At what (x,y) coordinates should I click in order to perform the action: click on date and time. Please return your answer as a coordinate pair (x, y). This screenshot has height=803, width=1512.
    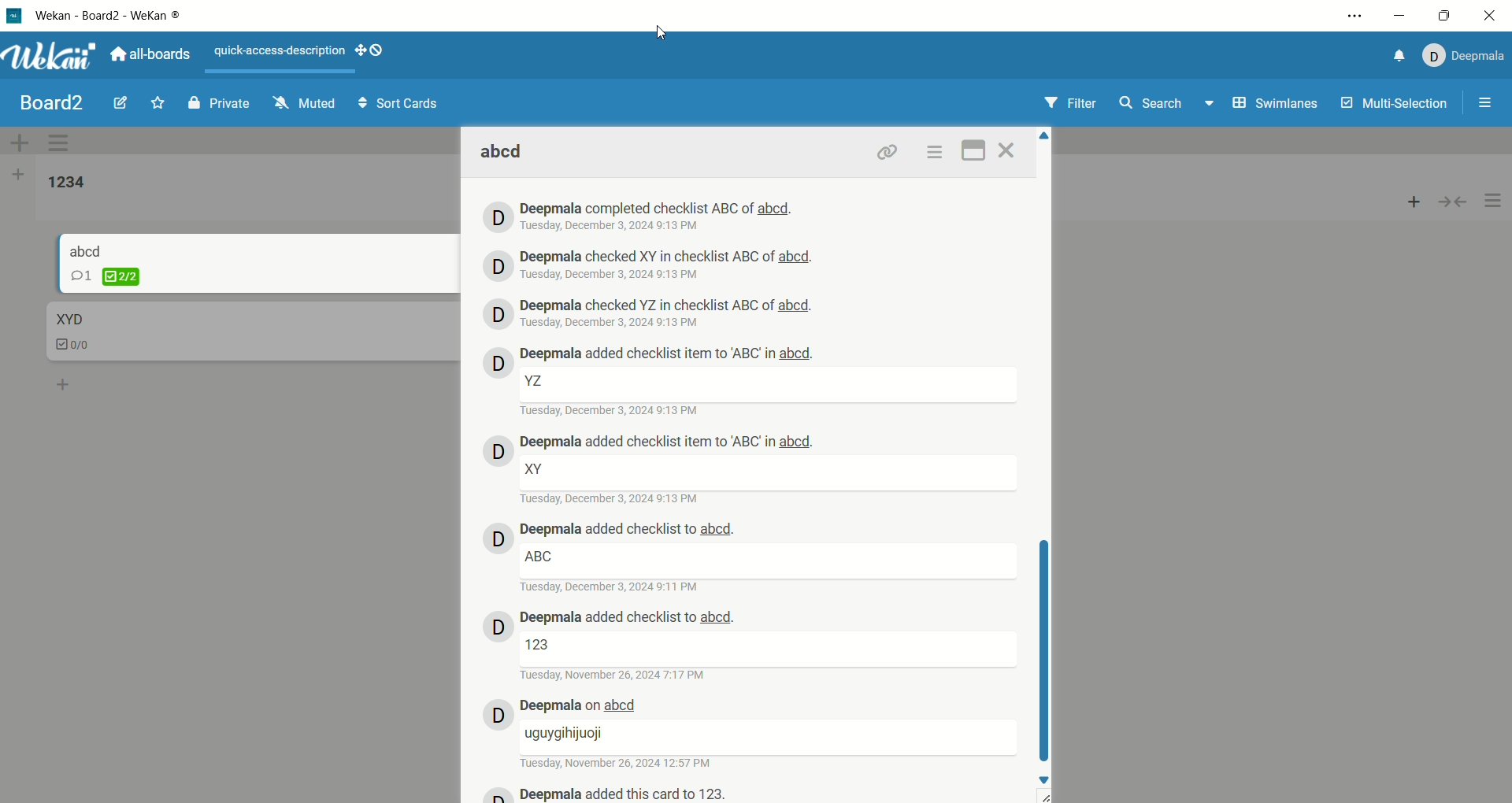
    Looking at the image, I should click on (613, 322).